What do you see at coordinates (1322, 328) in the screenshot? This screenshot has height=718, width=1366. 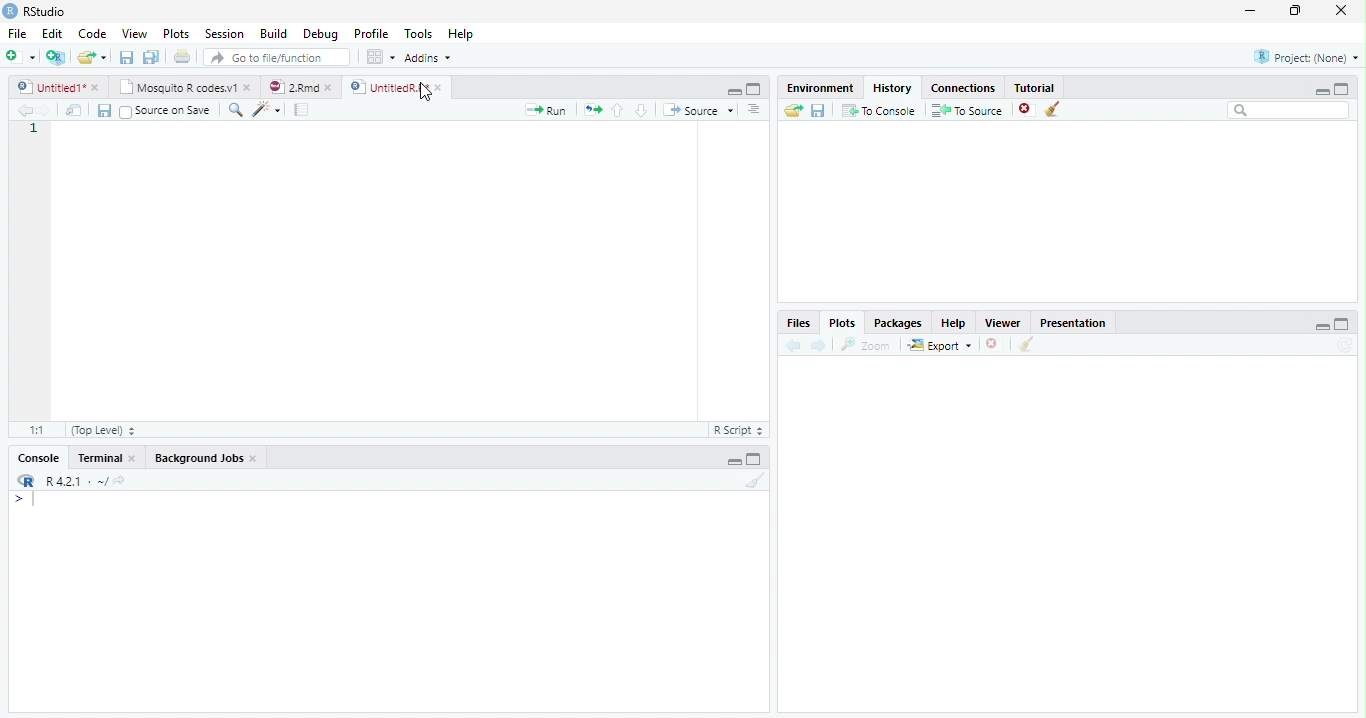 I see `Minimize` at bounding box center [1322, 328].